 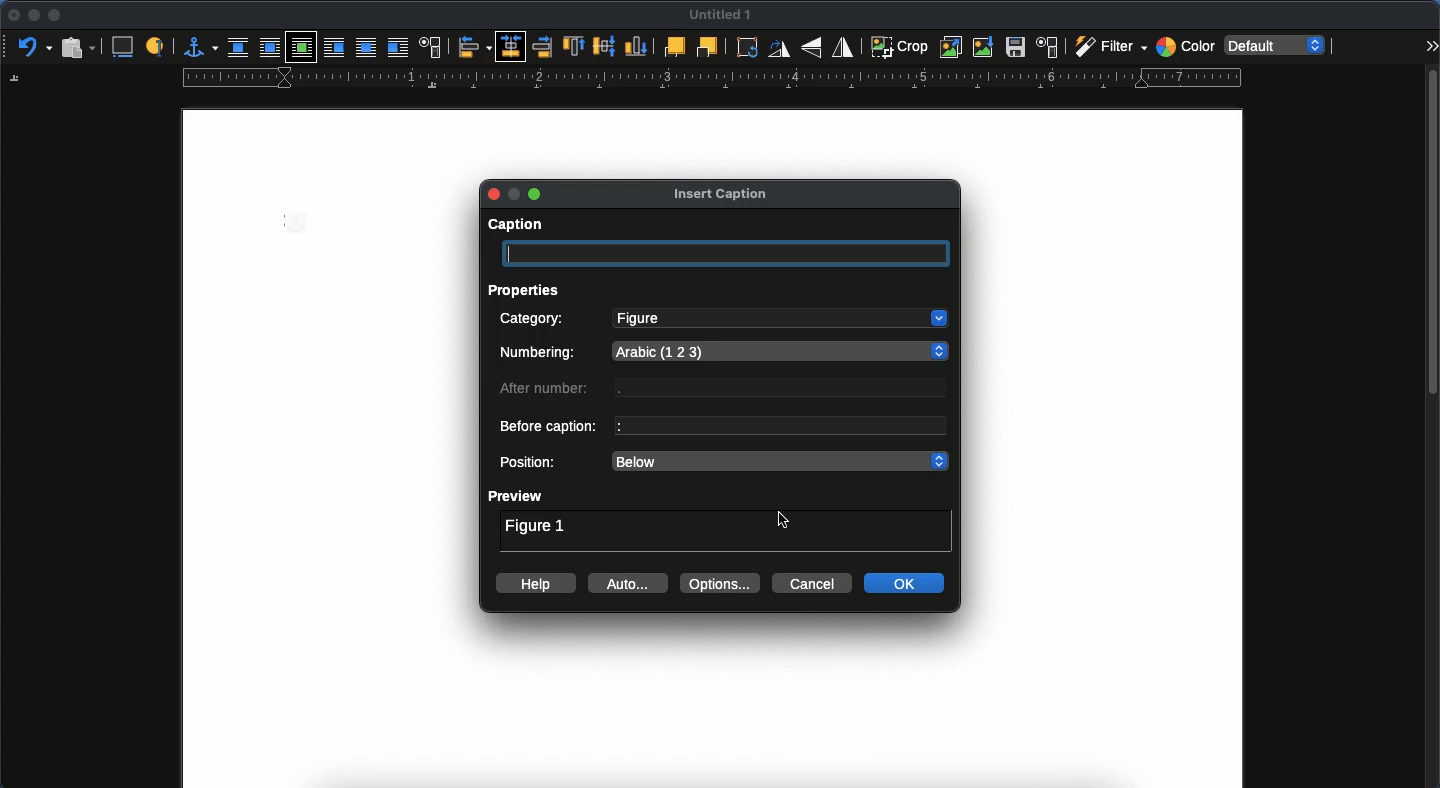 What do you see at coordinates (529, 289) in the screenshot?
I see `properties` at bounding box center [529, 289].